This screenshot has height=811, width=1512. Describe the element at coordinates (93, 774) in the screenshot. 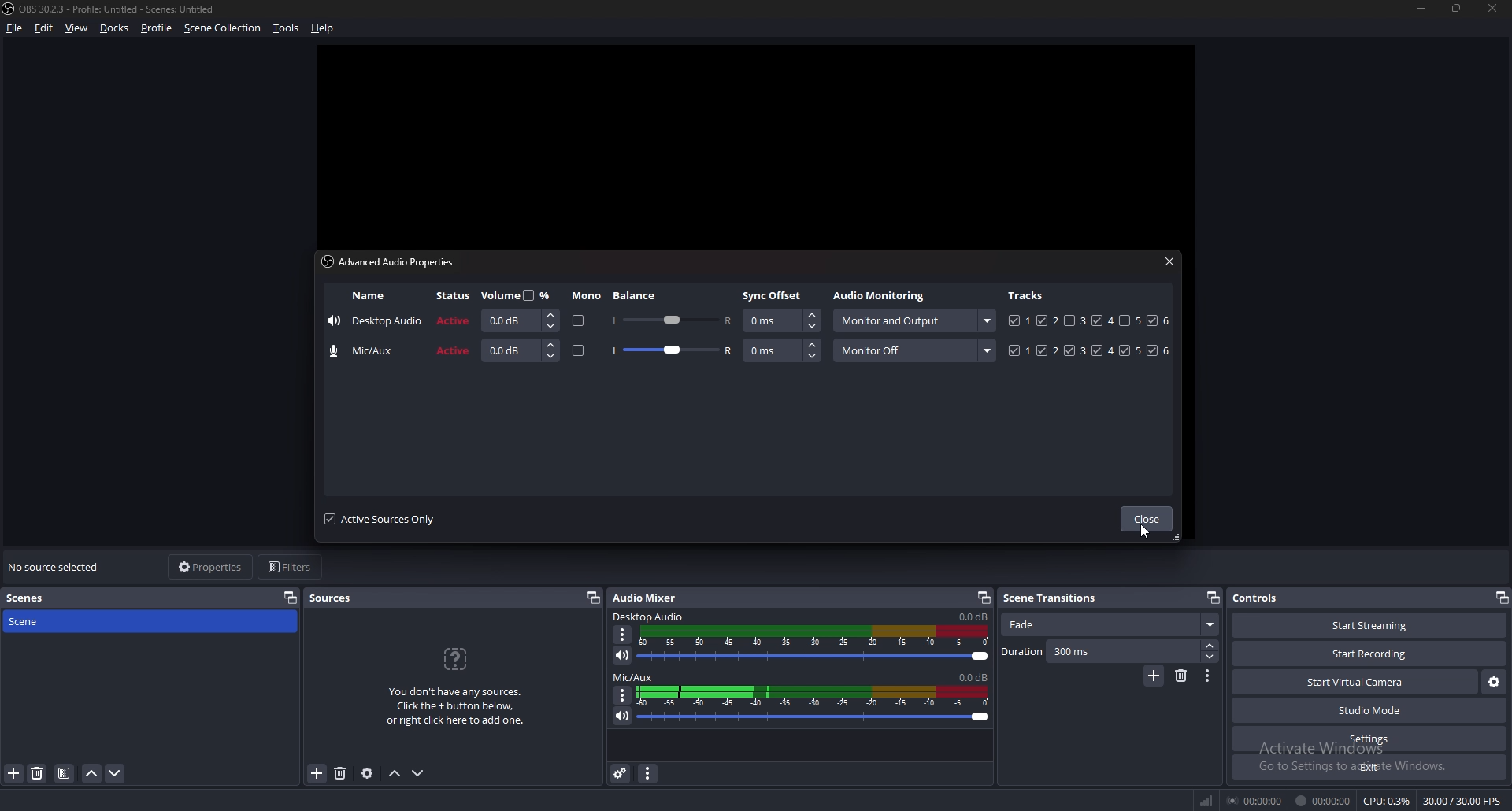

I see `move scene up` at that location.